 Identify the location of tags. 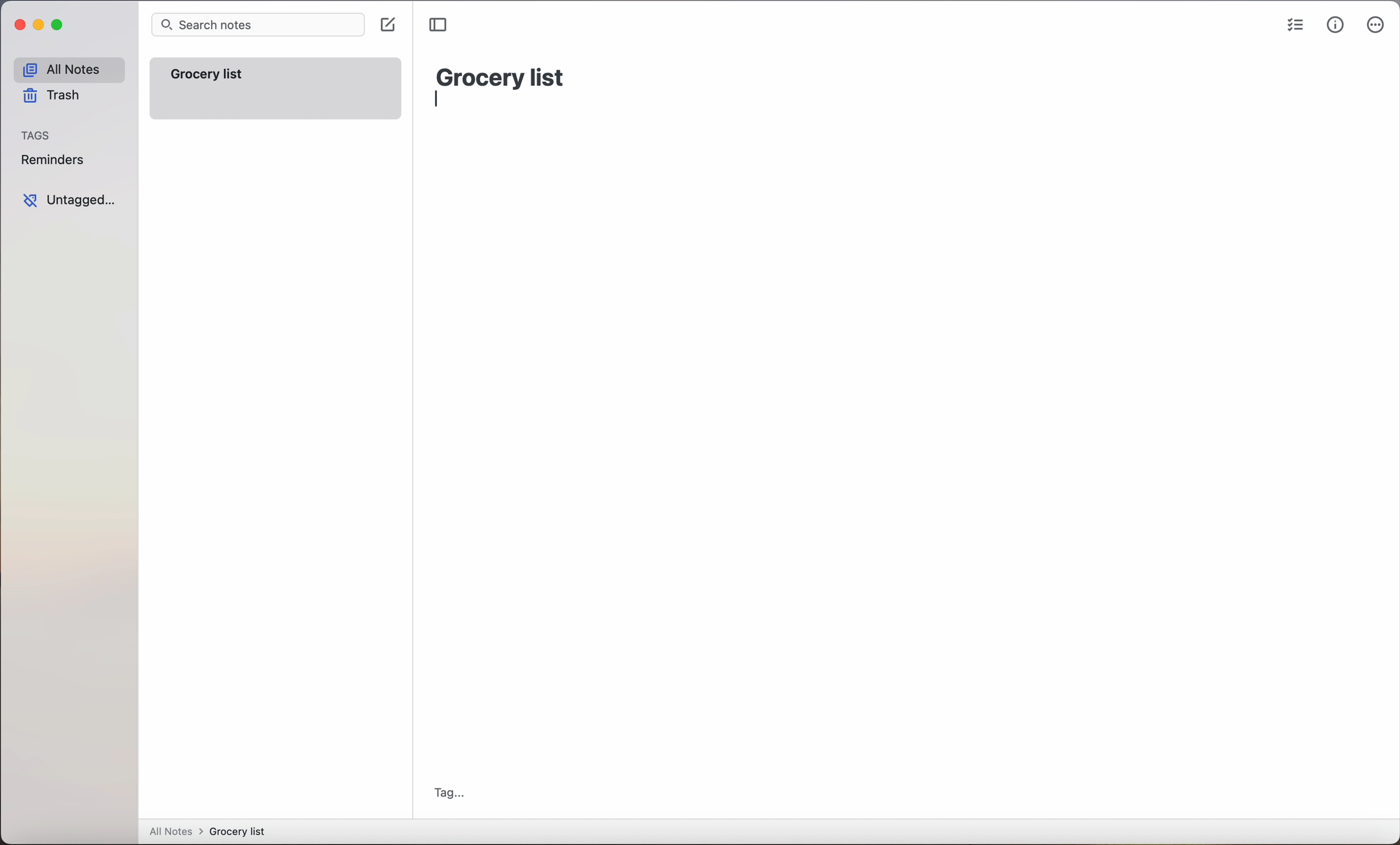
(37, 136).